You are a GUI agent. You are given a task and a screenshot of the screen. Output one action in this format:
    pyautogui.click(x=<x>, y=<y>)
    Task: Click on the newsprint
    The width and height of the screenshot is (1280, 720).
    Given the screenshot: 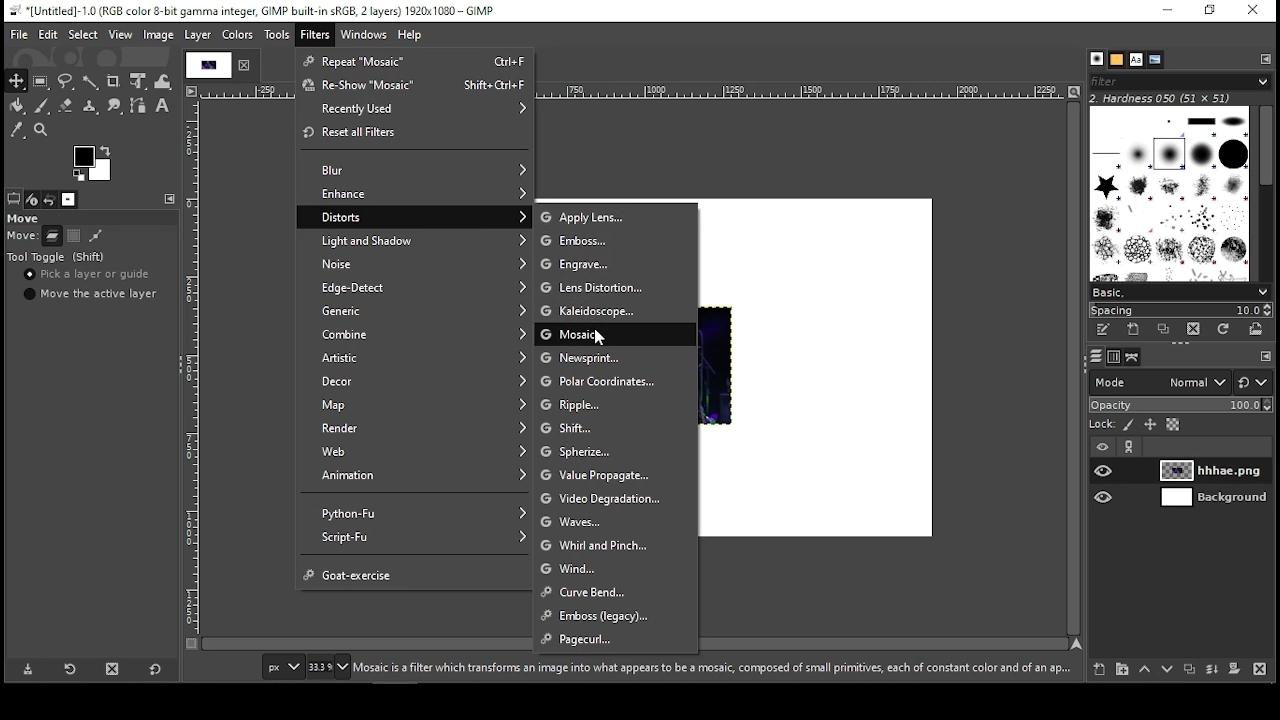 What is the action you would take?
    pyautogui.click(x=618, y=358)
    